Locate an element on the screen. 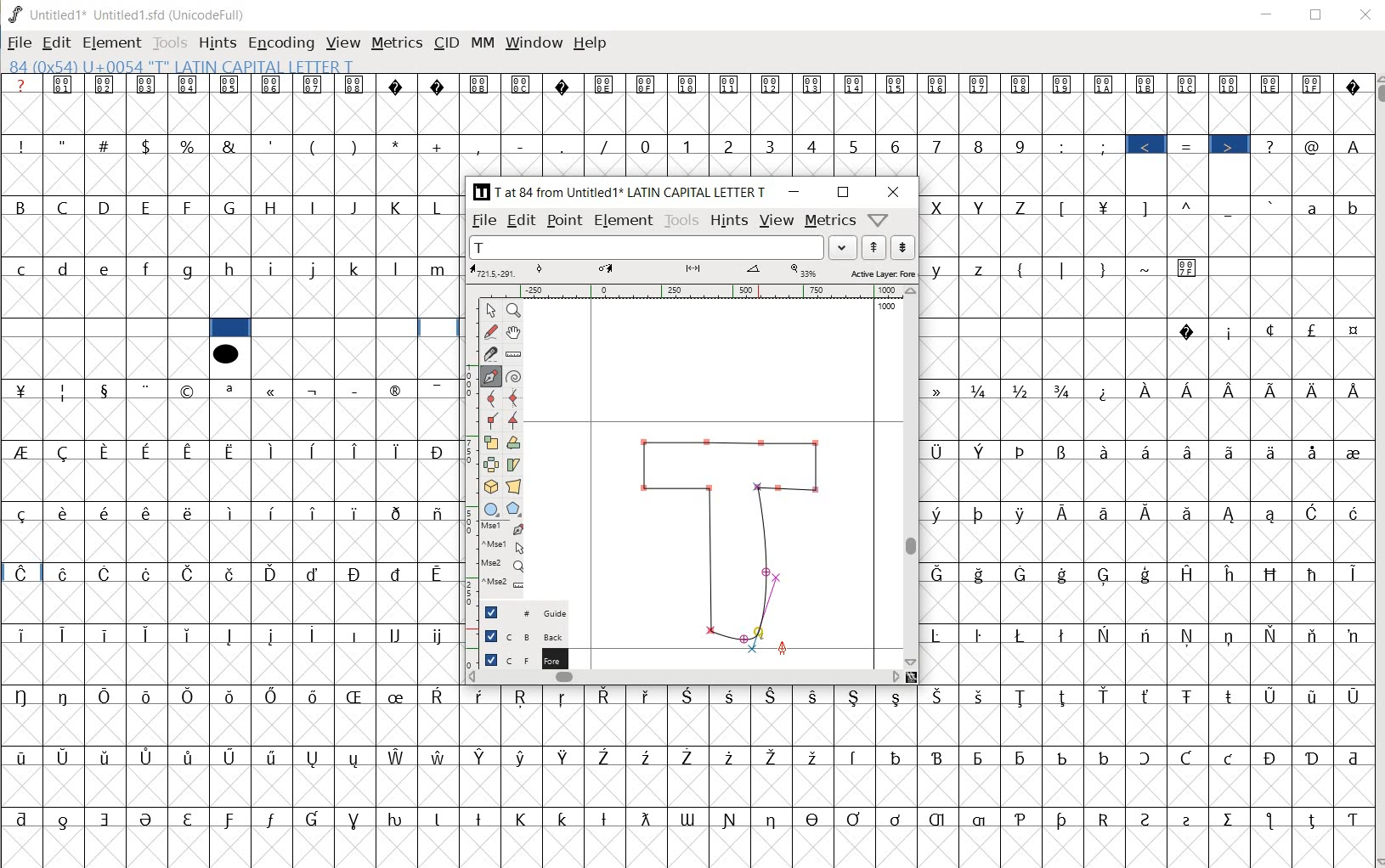 This screenshot has height=868, width=1385. Symbol is located at coordinates (1314, 513).